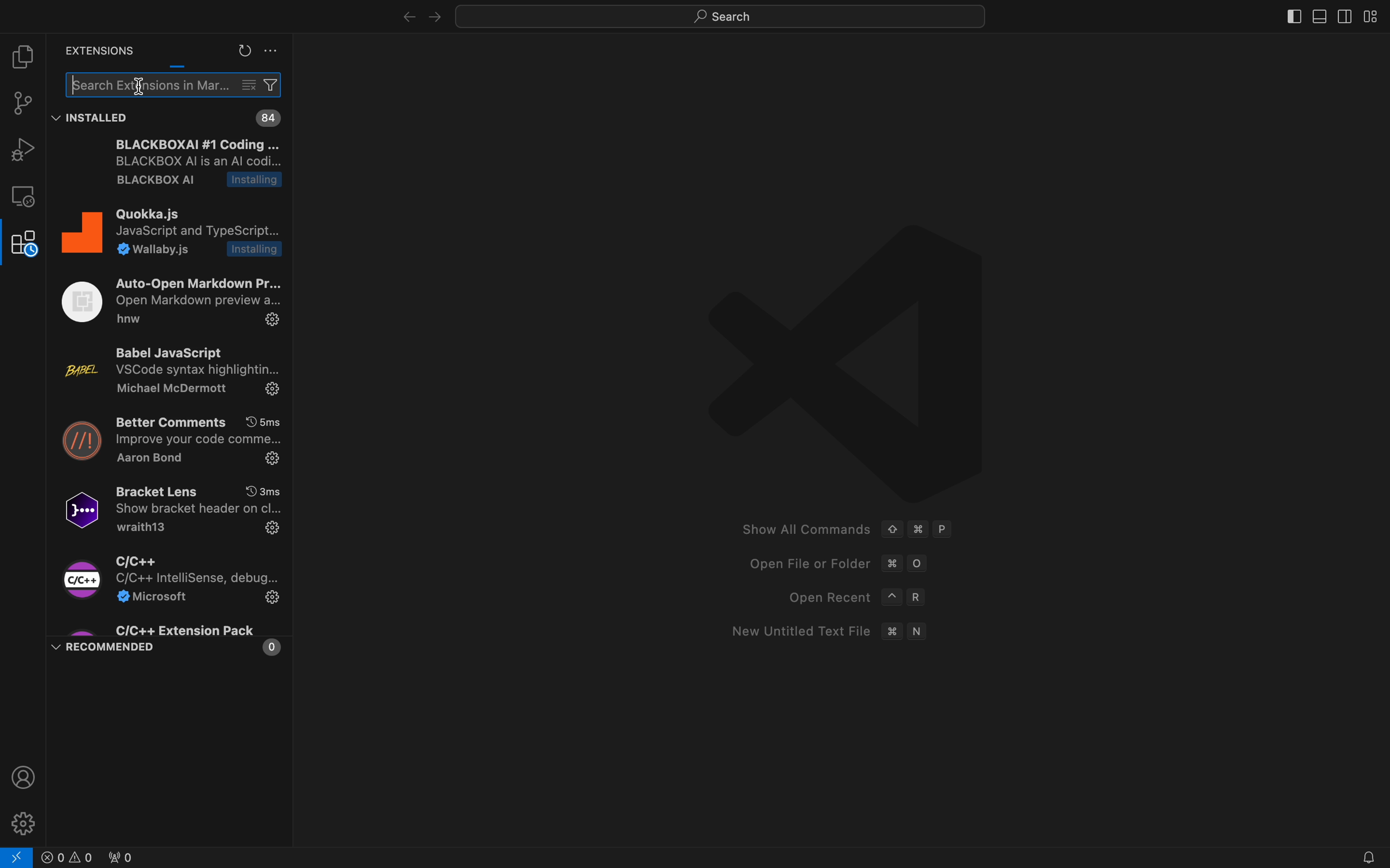  What do you see at coordinates (244, 51) in the screenshot?
I see `reload` at bounding box center [244, 51].